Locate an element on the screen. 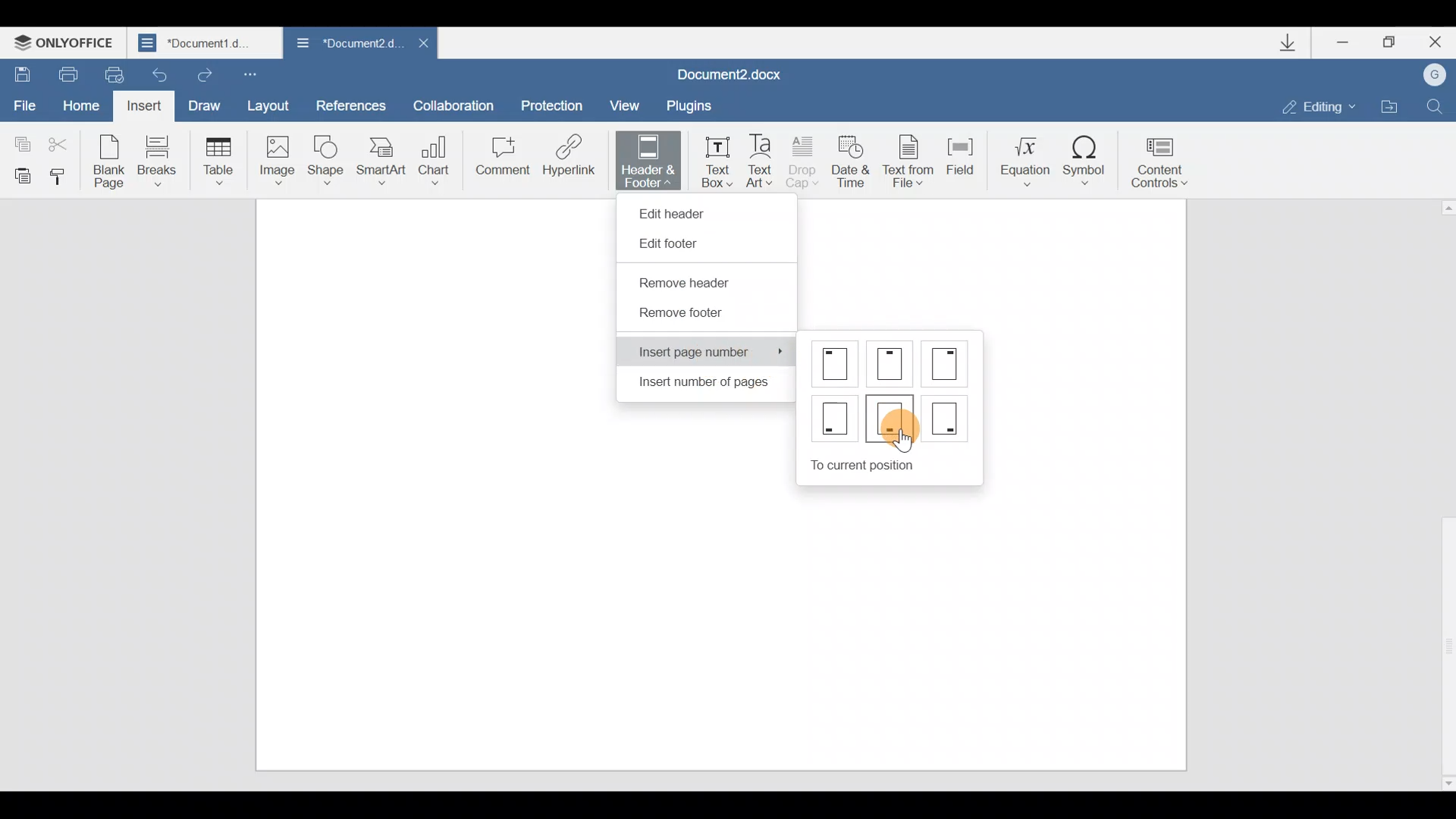  Minimize is located at coordinates (1338, 44).